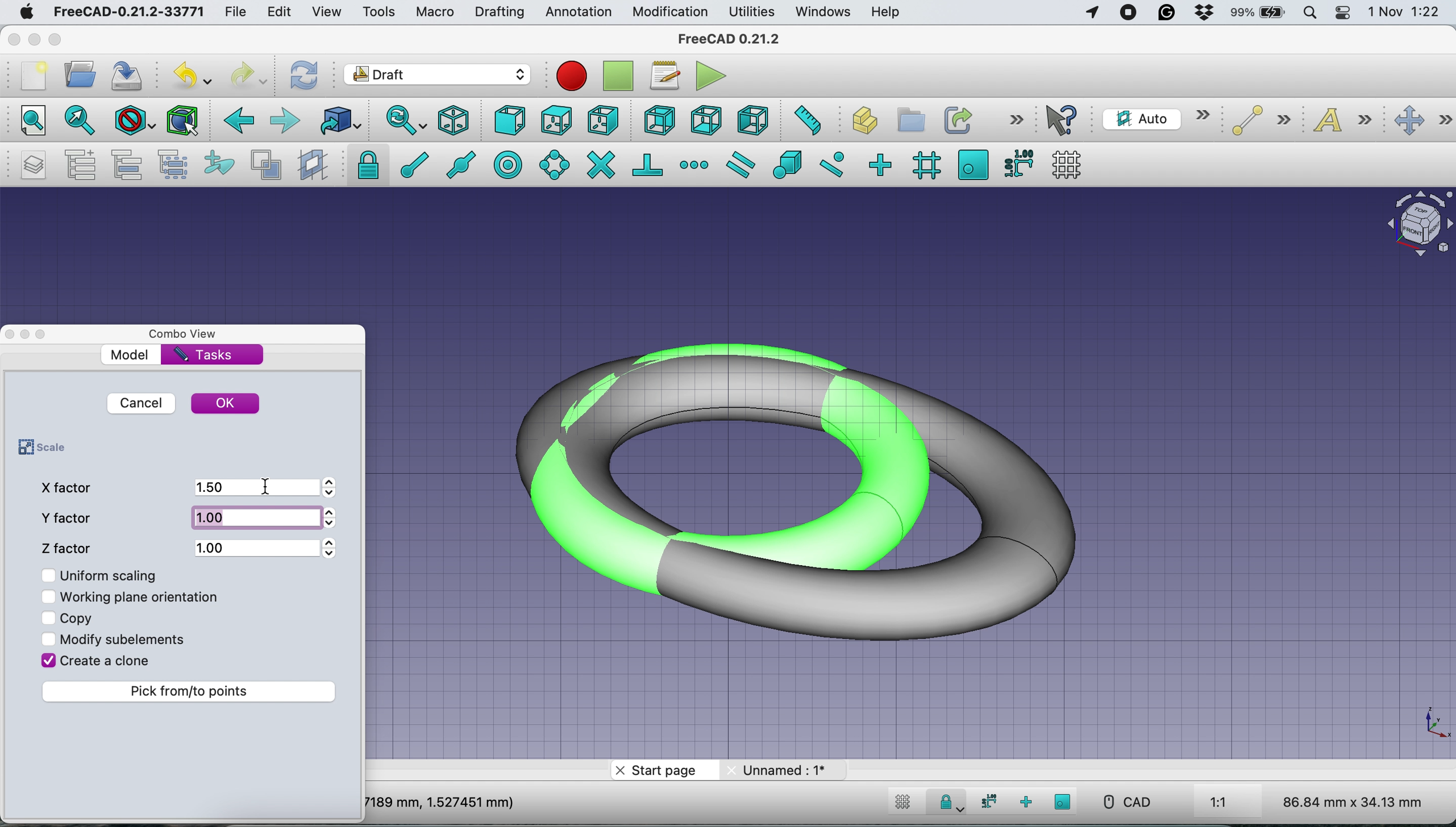  I want to click on open, so click(80, 77).